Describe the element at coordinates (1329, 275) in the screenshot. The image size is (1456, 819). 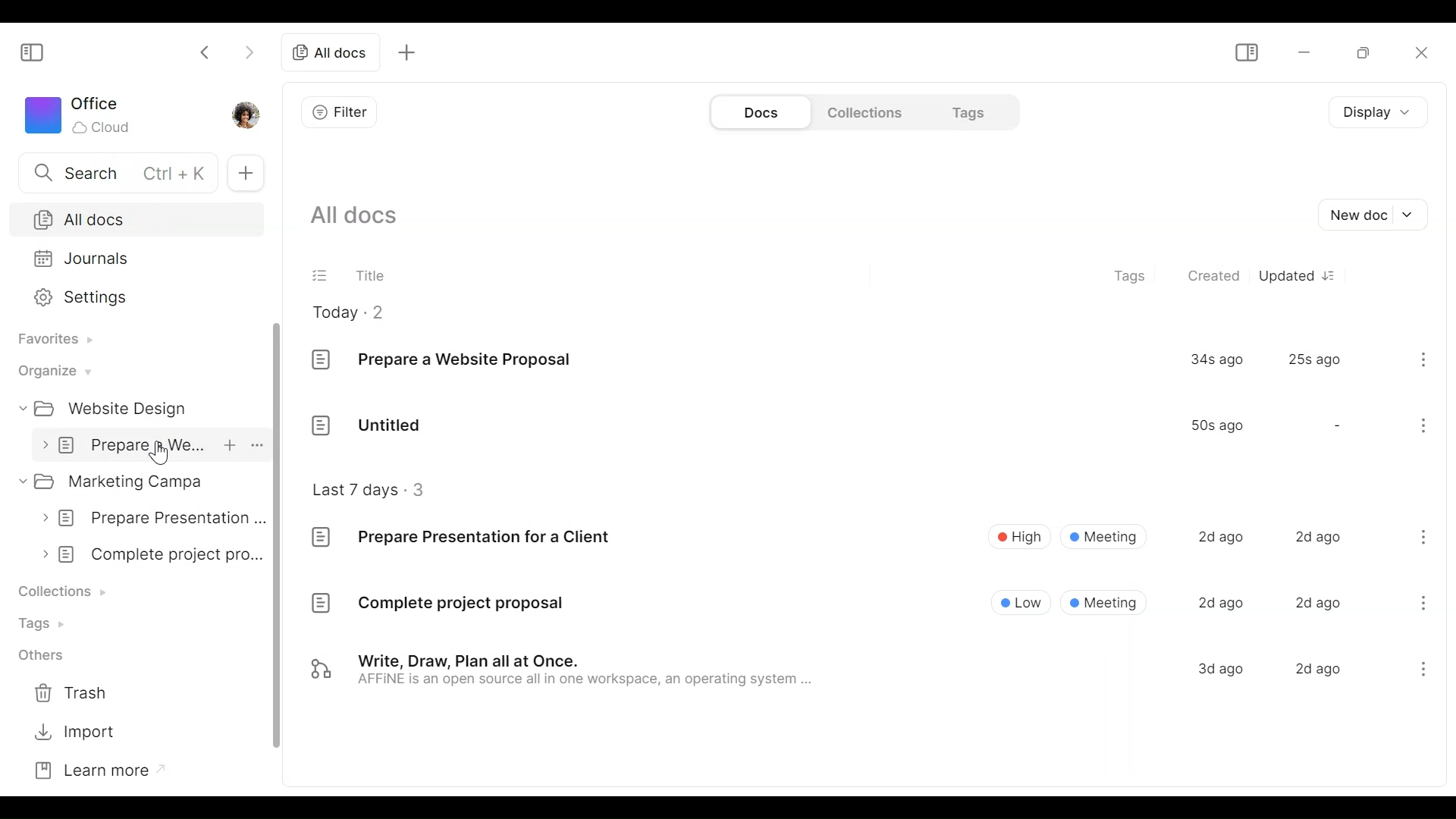
I see `Sort` at that location.